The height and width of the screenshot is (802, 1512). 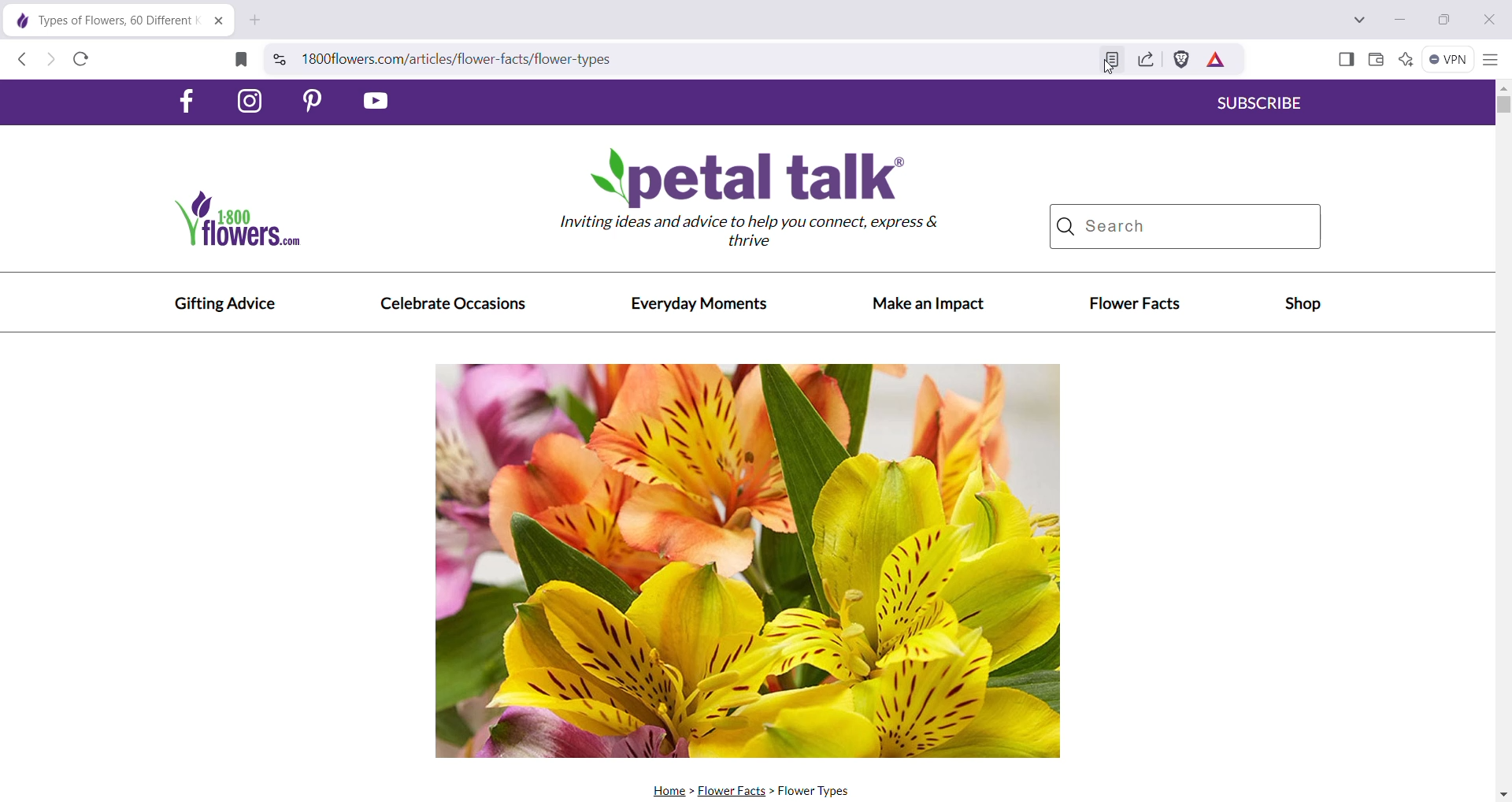 What do you see at coordinates (252, 101) in the screenshot?
I see `Instagram` at bounding box center [252, 101].